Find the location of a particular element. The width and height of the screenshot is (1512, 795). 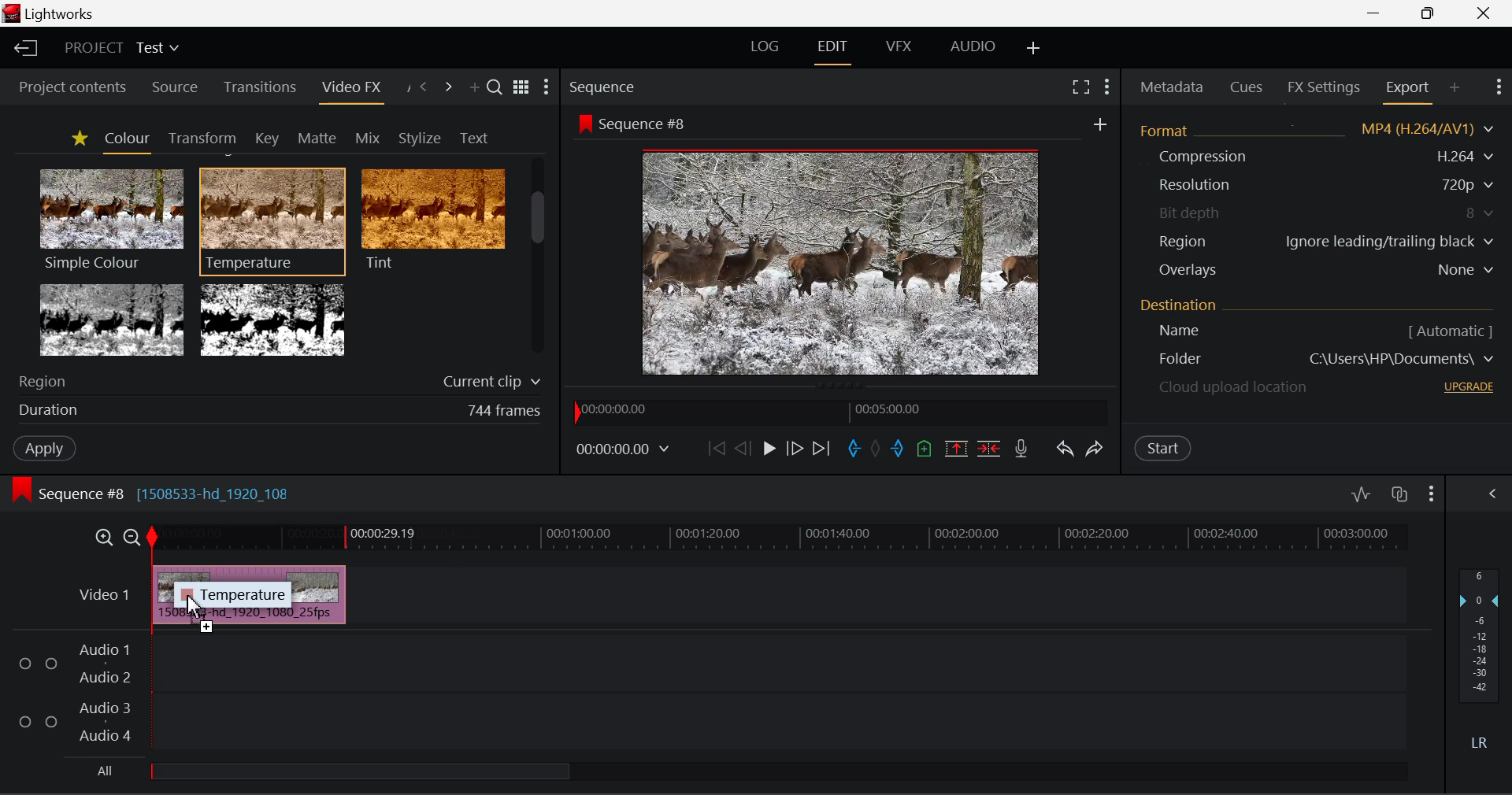

None  is located at coordinates (1467, 270).